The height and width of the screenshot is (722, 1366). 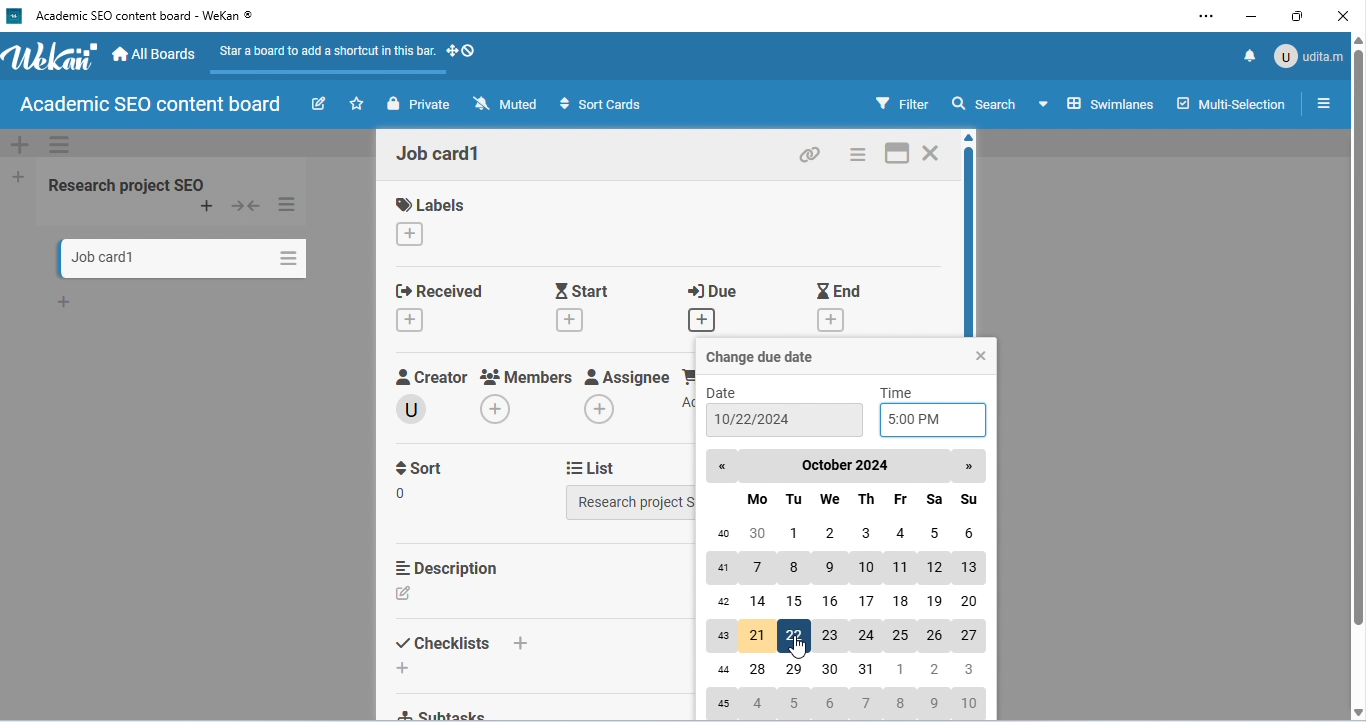 What do you see at coordinates (933, 152) in the screenshot?
I see `close card` at bounding box center [933, 152].